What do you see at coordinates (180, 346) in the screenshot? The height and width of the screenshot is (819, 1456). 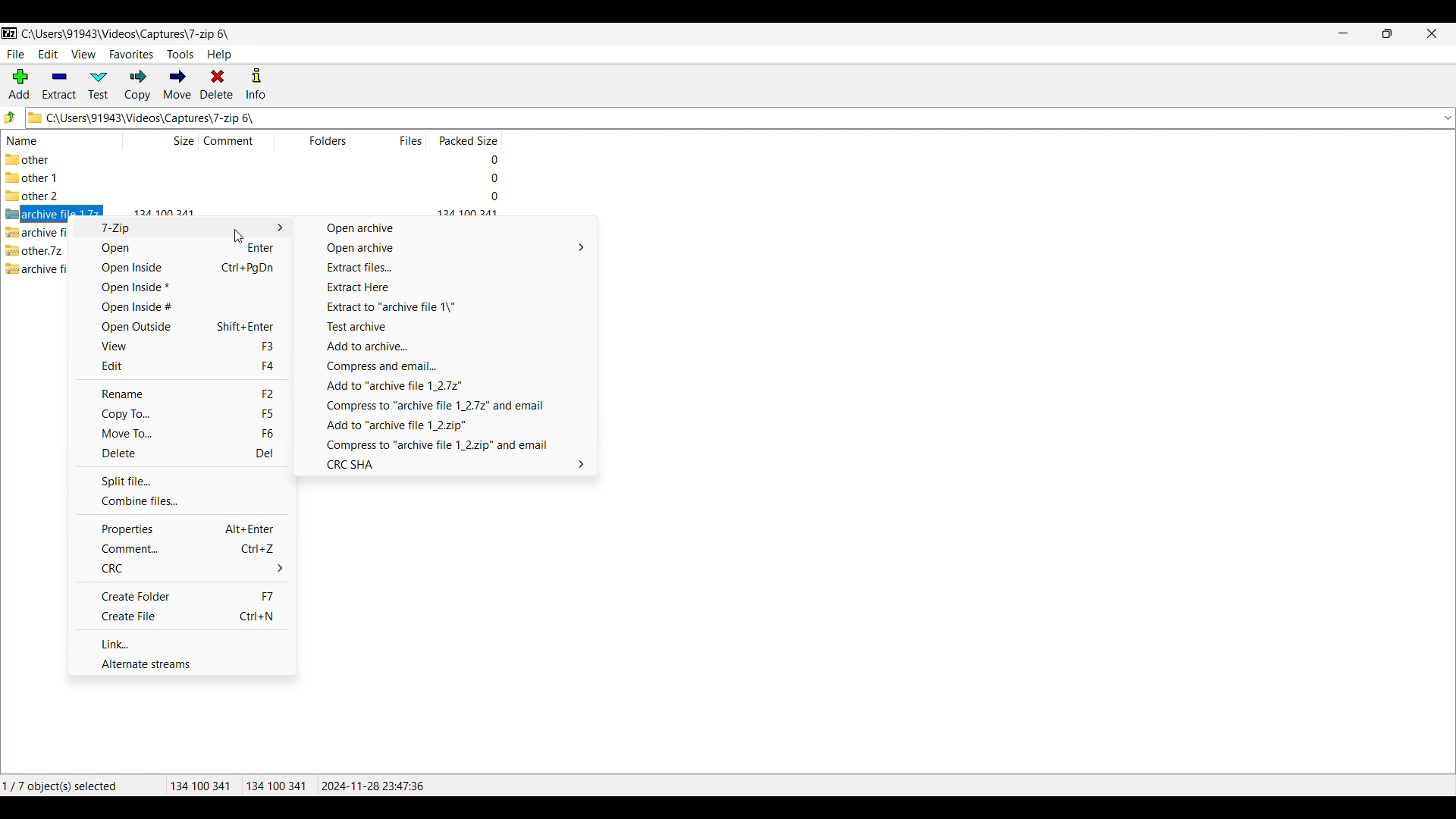 I see `View` at bounding box center [180, 346].